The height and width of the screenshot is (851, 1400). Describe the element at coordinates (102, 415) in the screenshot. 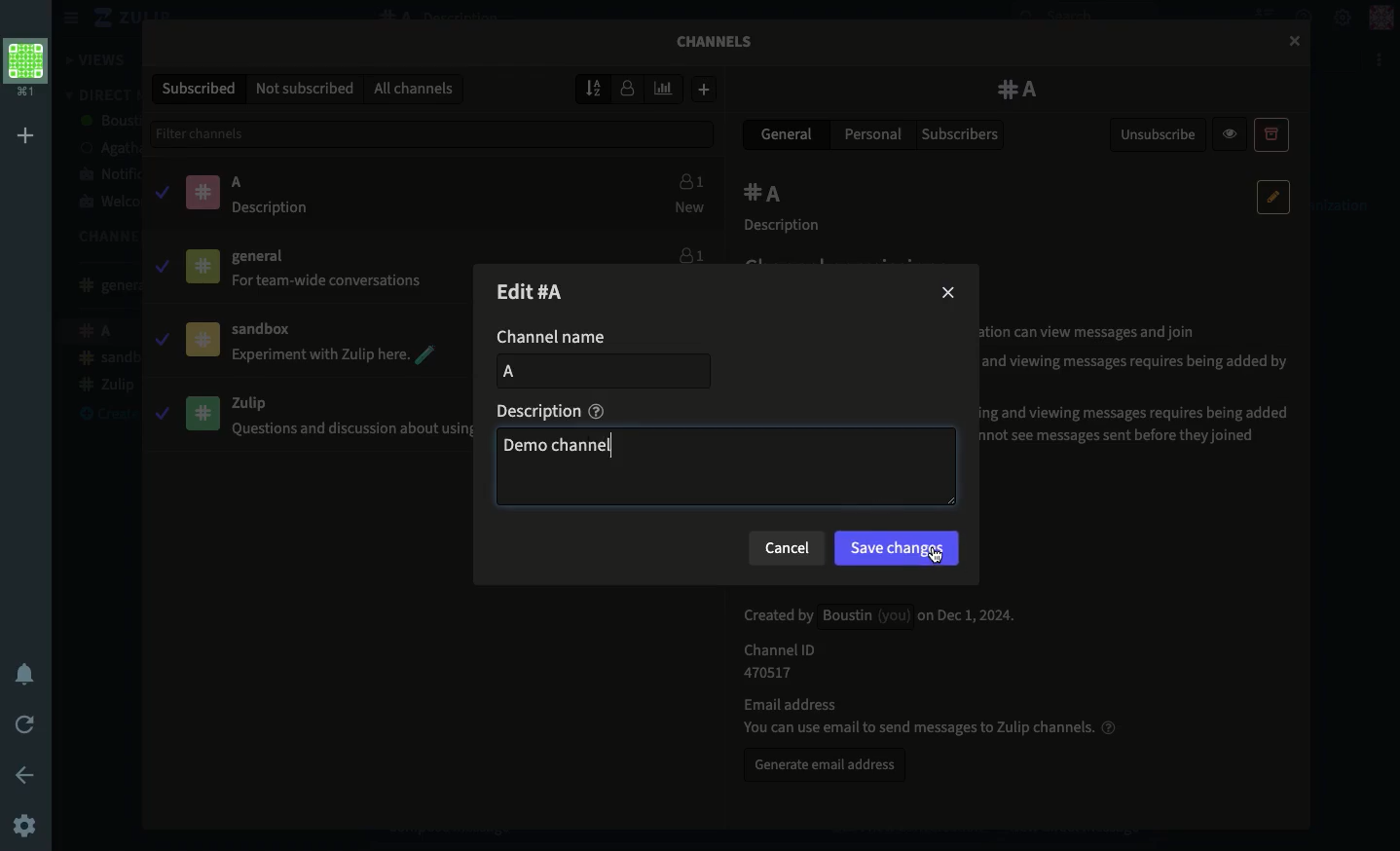

I see `Create a channel` at that location.